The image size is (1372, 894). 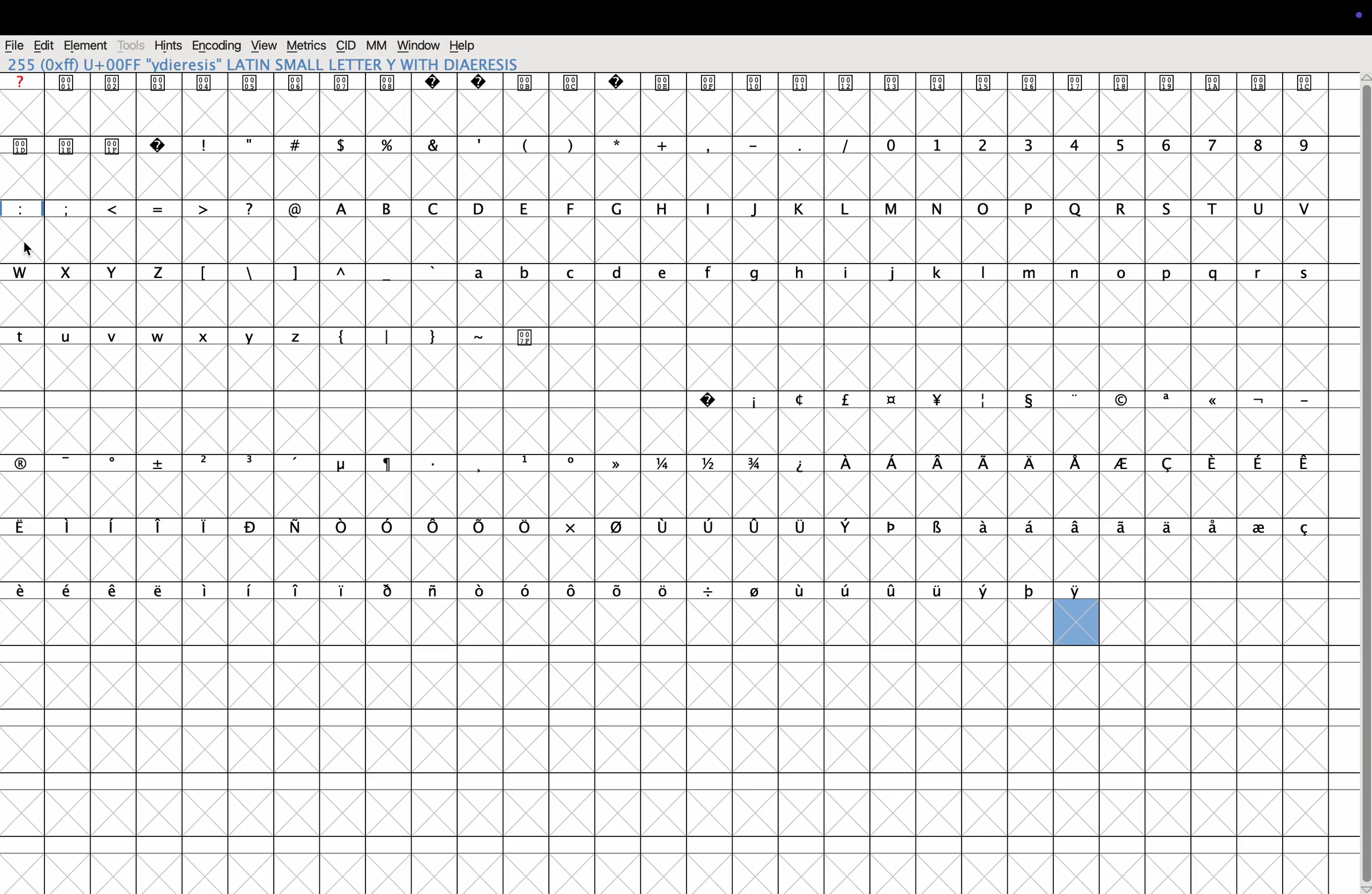 What do you see at coordinates (481, 168) in the screenshot?
I see `,` at bounding box center [481, 168].